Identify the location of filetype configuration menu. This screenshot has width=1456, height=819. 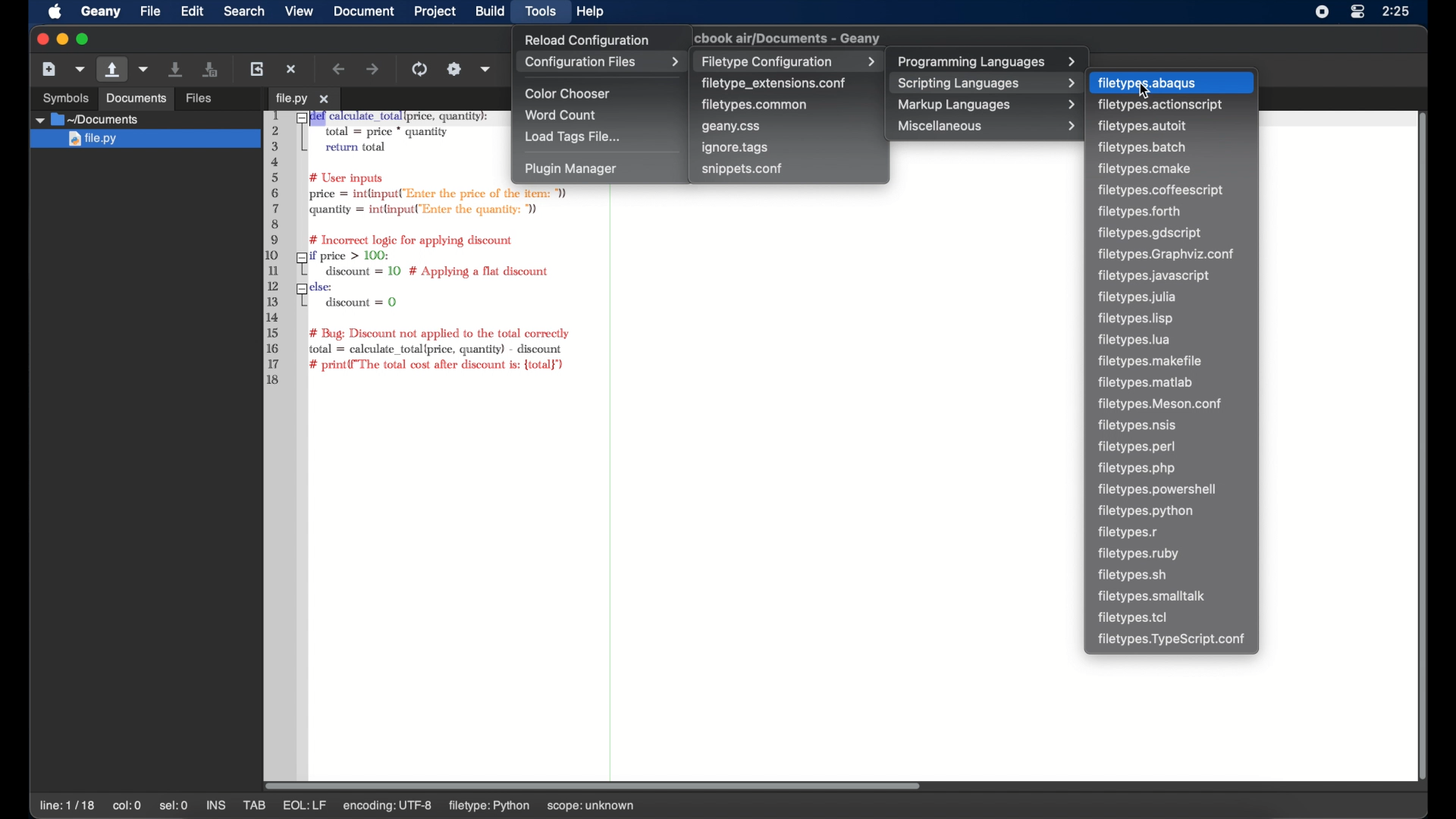
(787, 61).